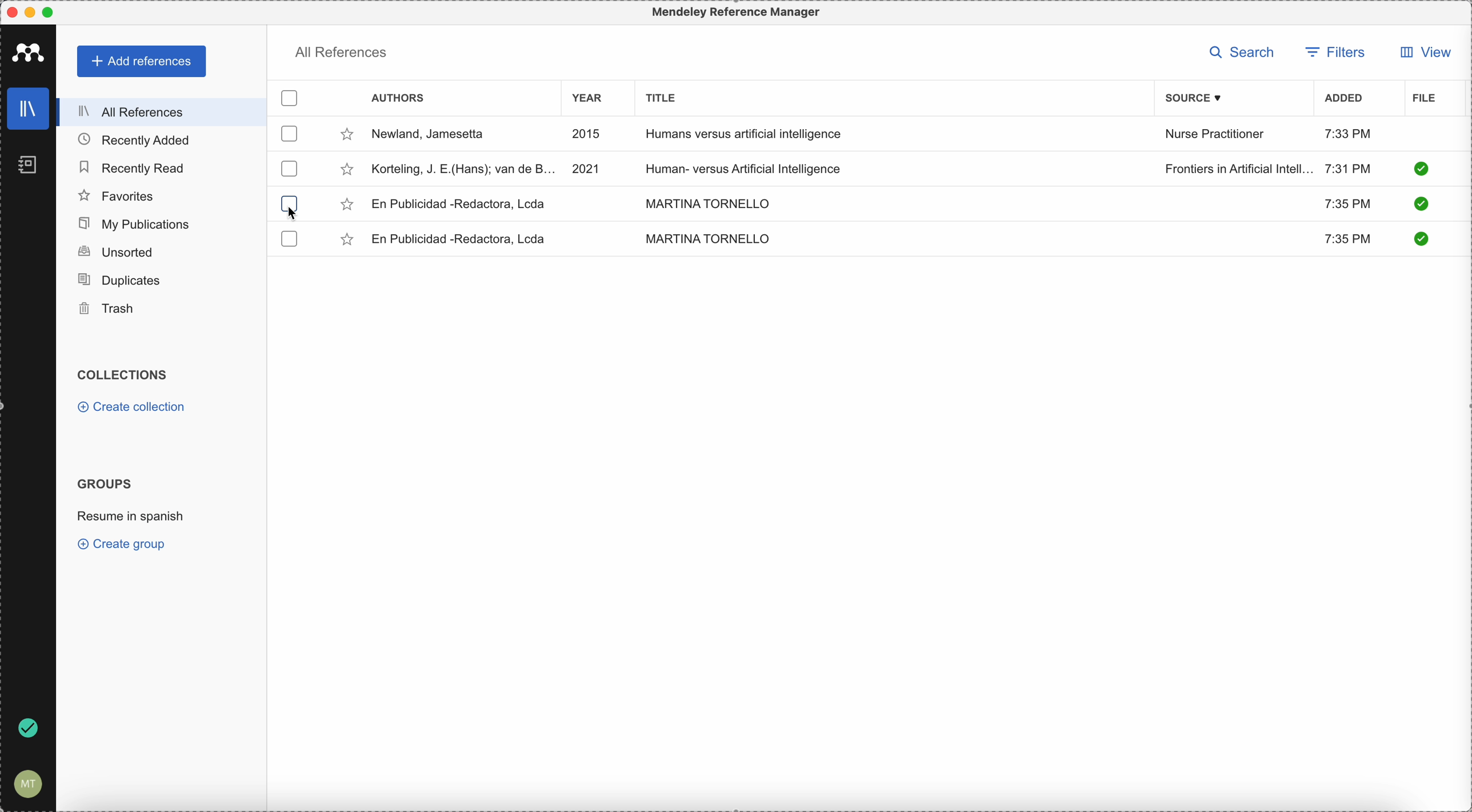 The height and width of the screenshot is (812, 1472). What do you see at coordinates (291, 133) in the screenshot?
I see `checkbox` at bounding box center [291, 133].